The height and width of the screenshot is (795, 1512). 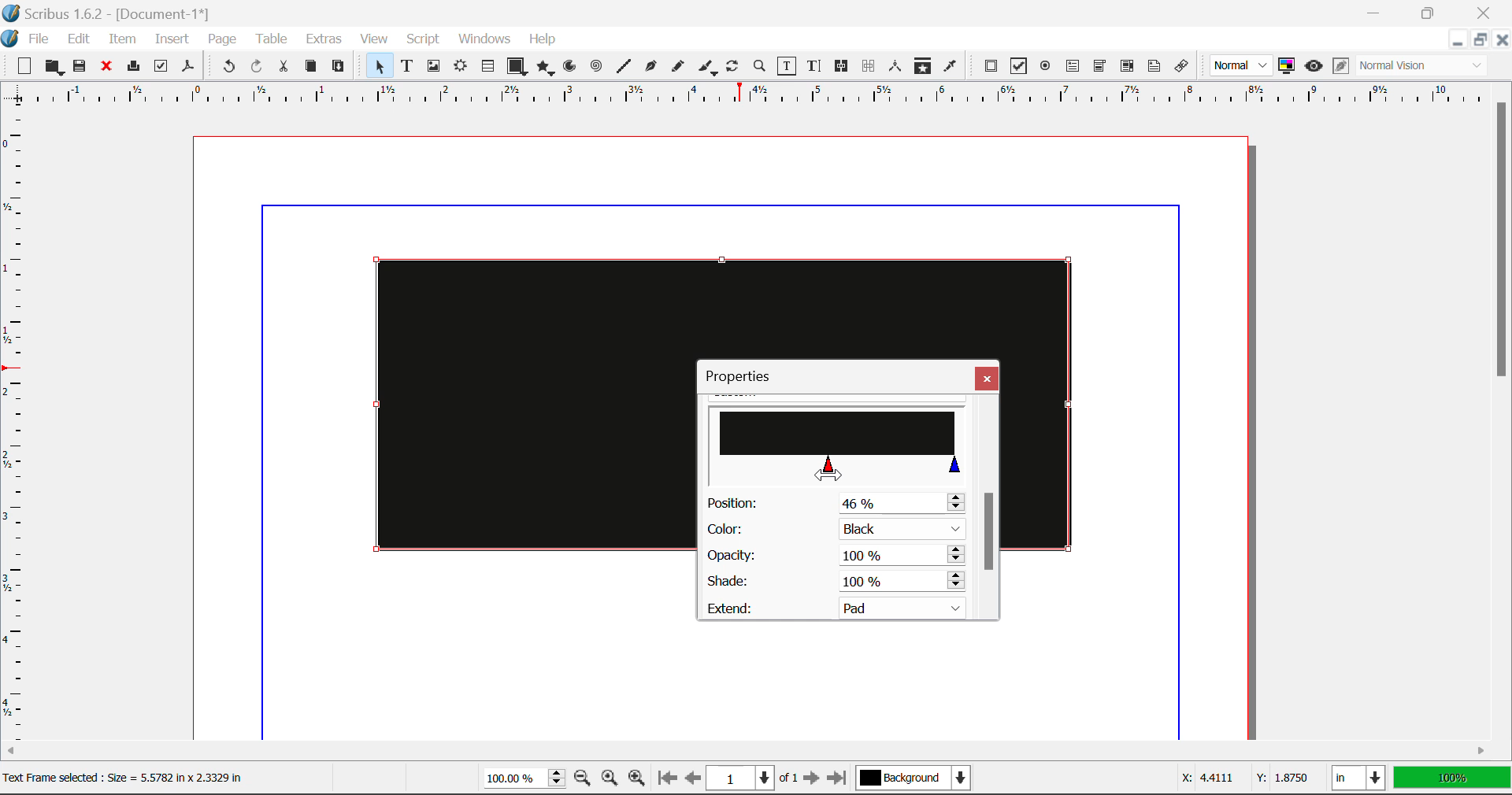 I want to click on Text Frame Color Changed, so click(x=510, y=403).